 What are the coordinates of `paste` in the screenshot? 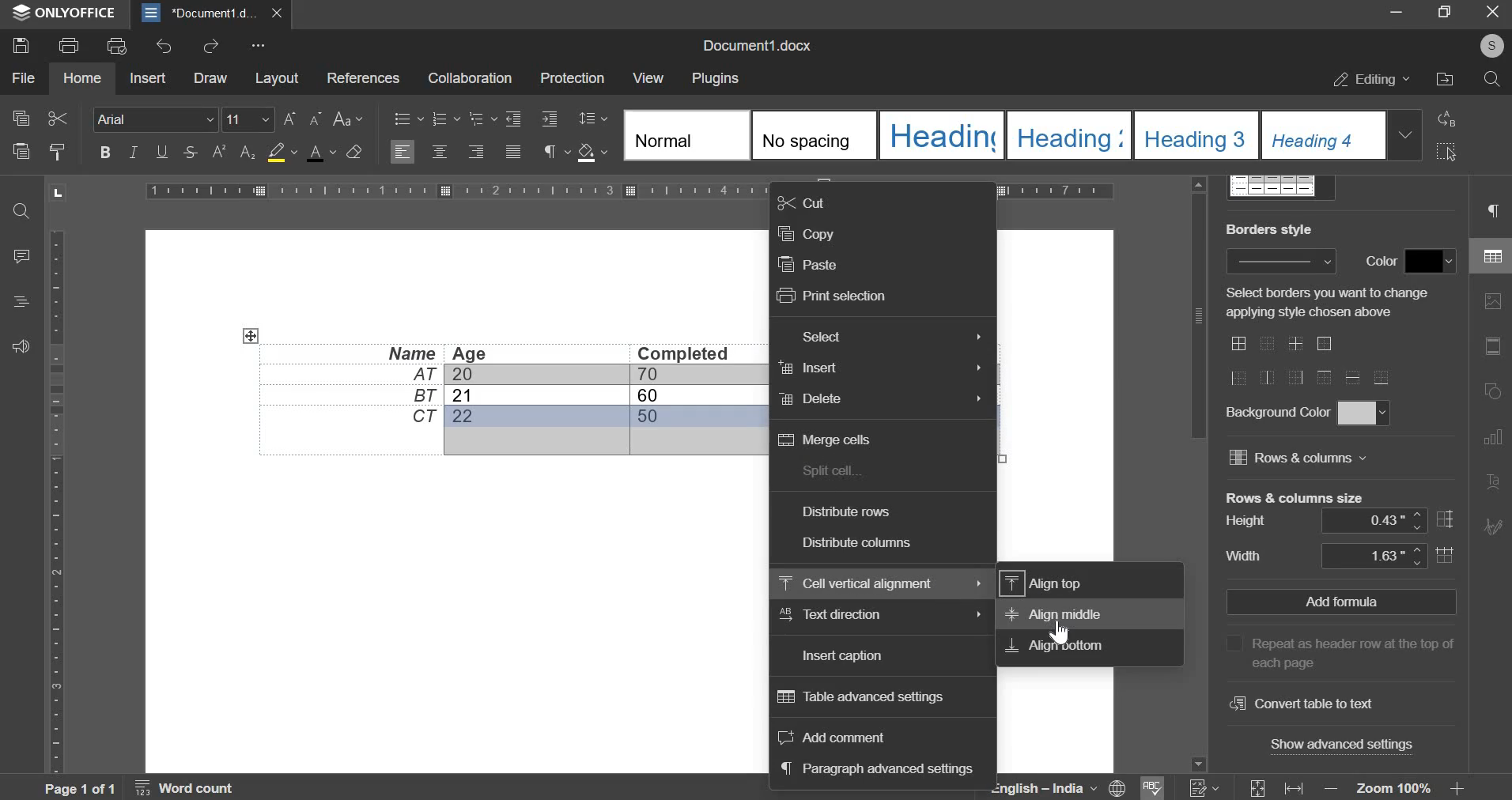 It's located at (808, 264).